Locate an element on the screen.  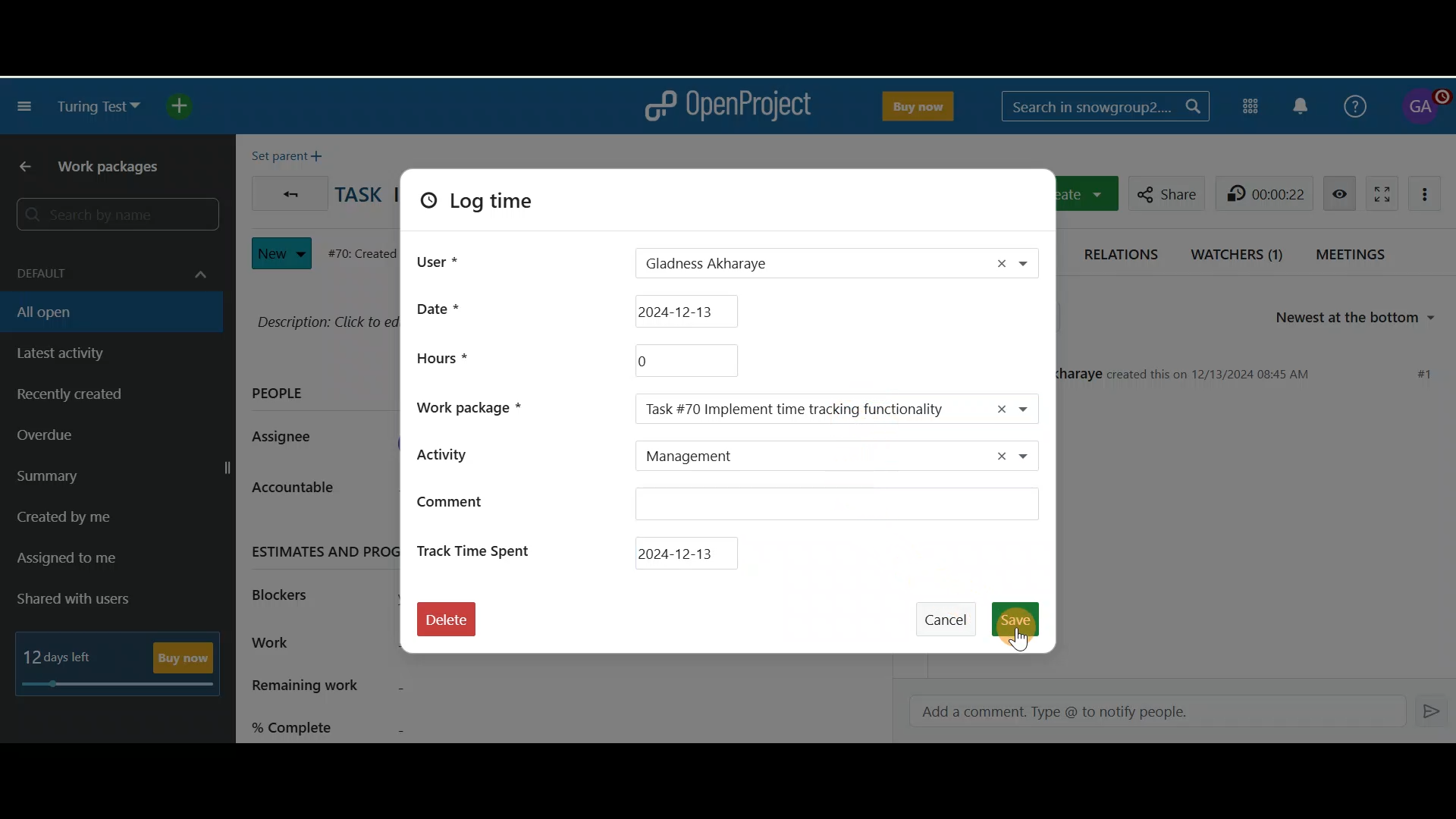
Save is located at coordinates (1021, 618).